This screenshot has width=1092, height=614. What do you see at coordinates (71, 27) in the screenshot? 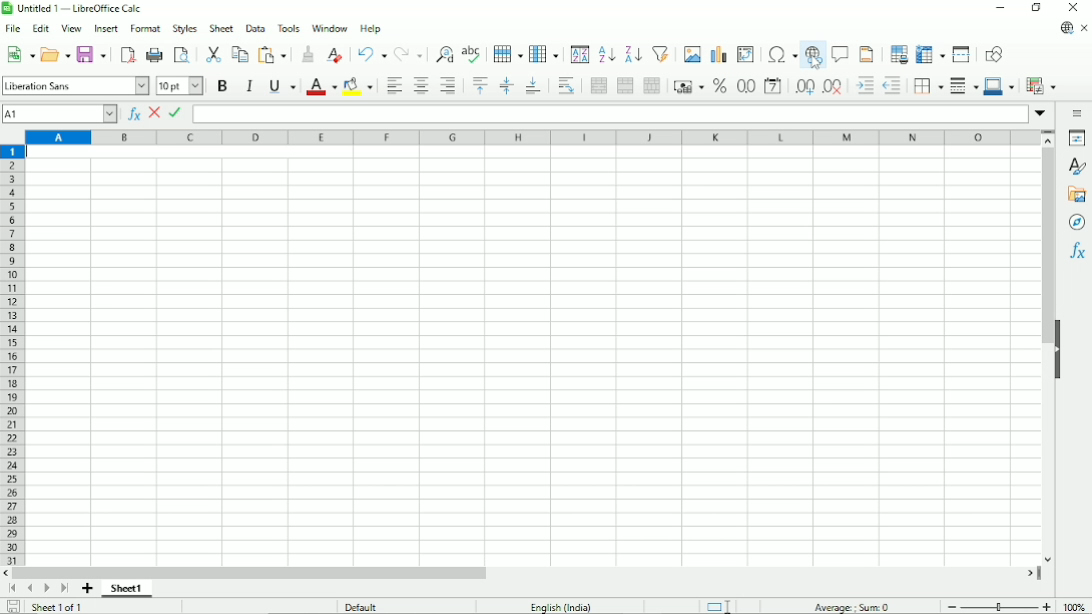
I see `View` at bounding box center [71, 27].